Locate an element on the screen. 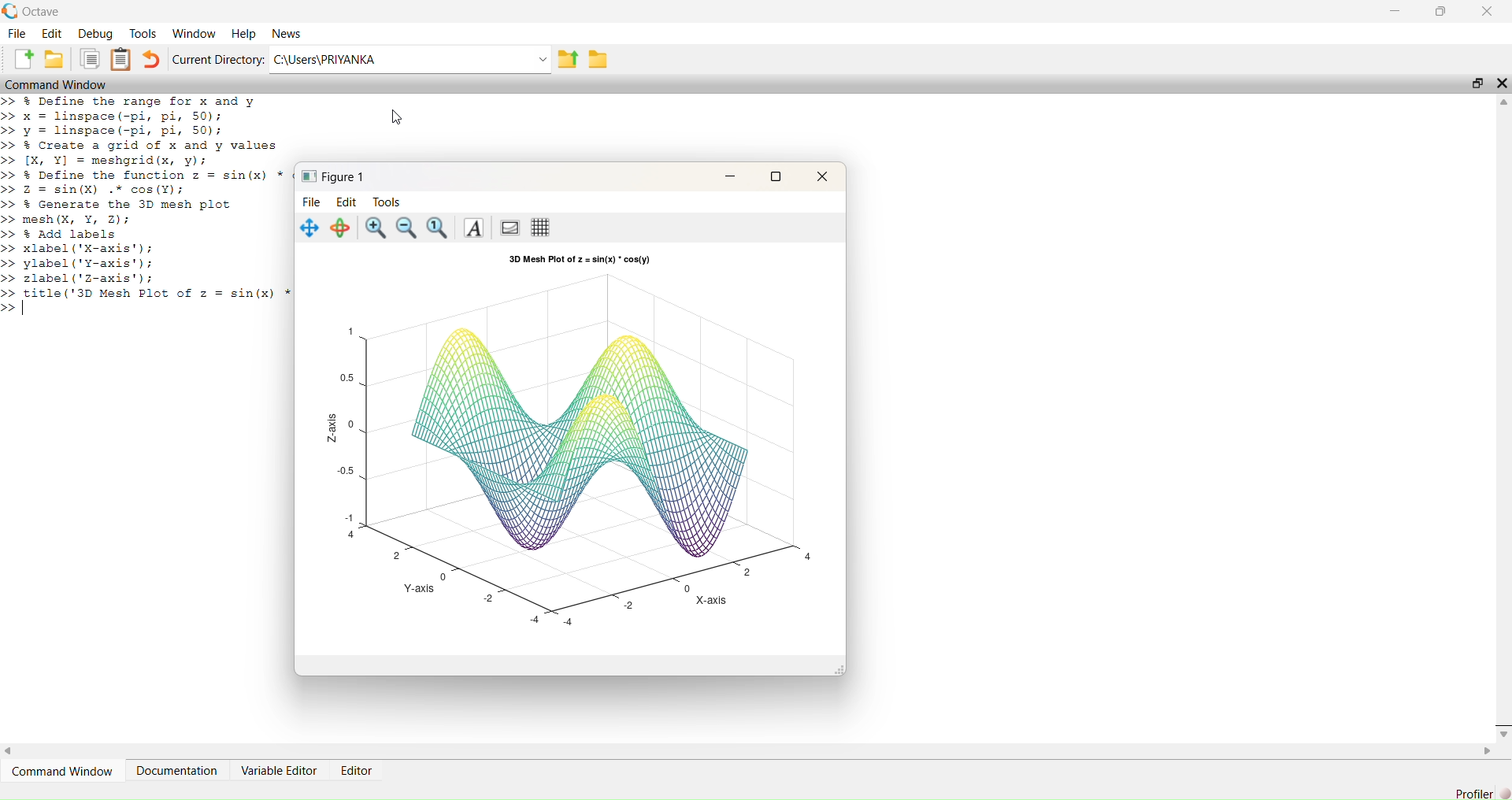 The height and width of the screenshot is (800, 1512). Minimize is located at coordinates (1398, 13).